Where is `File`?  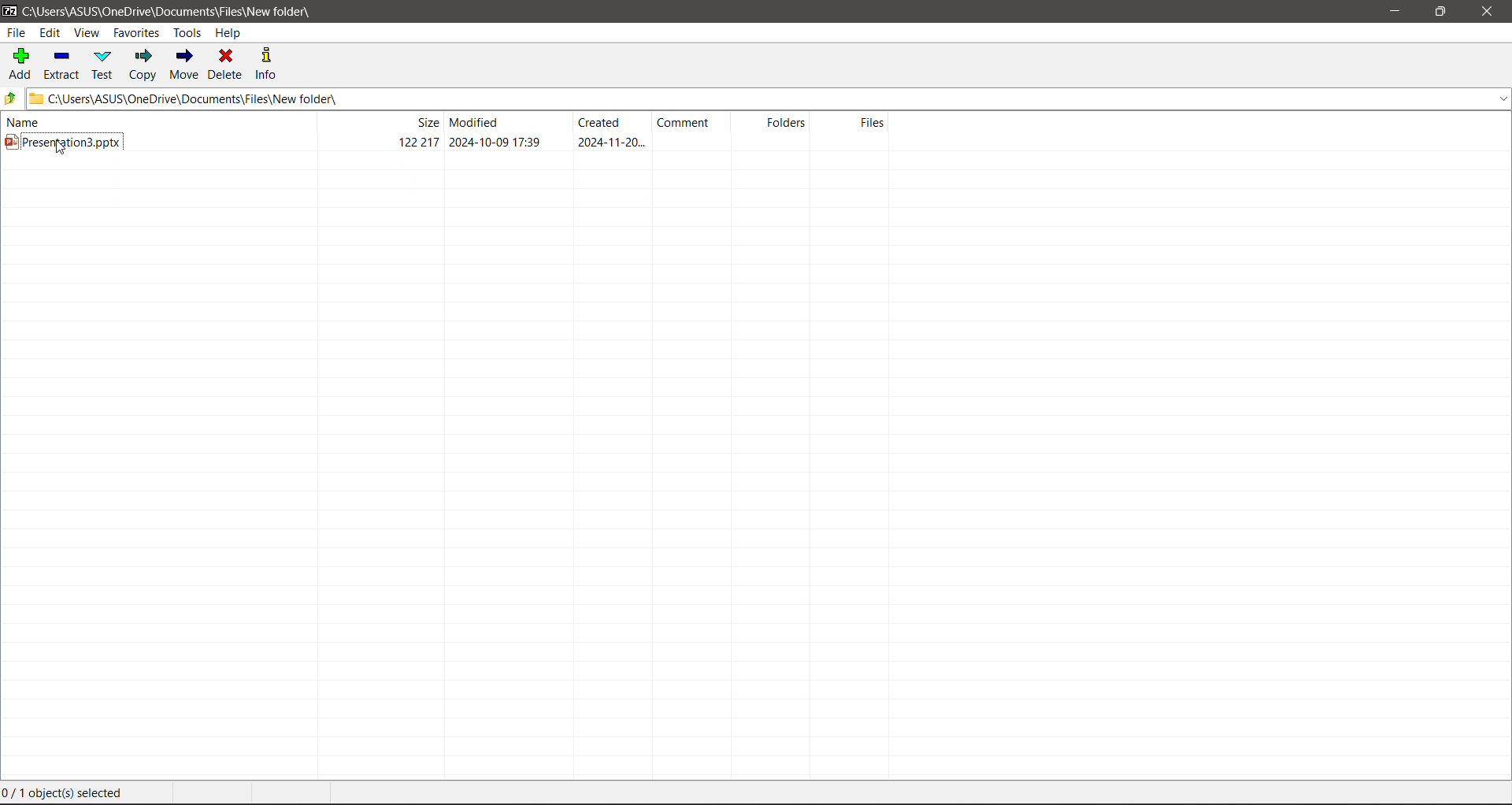
File is located at coordinates (17, 32).